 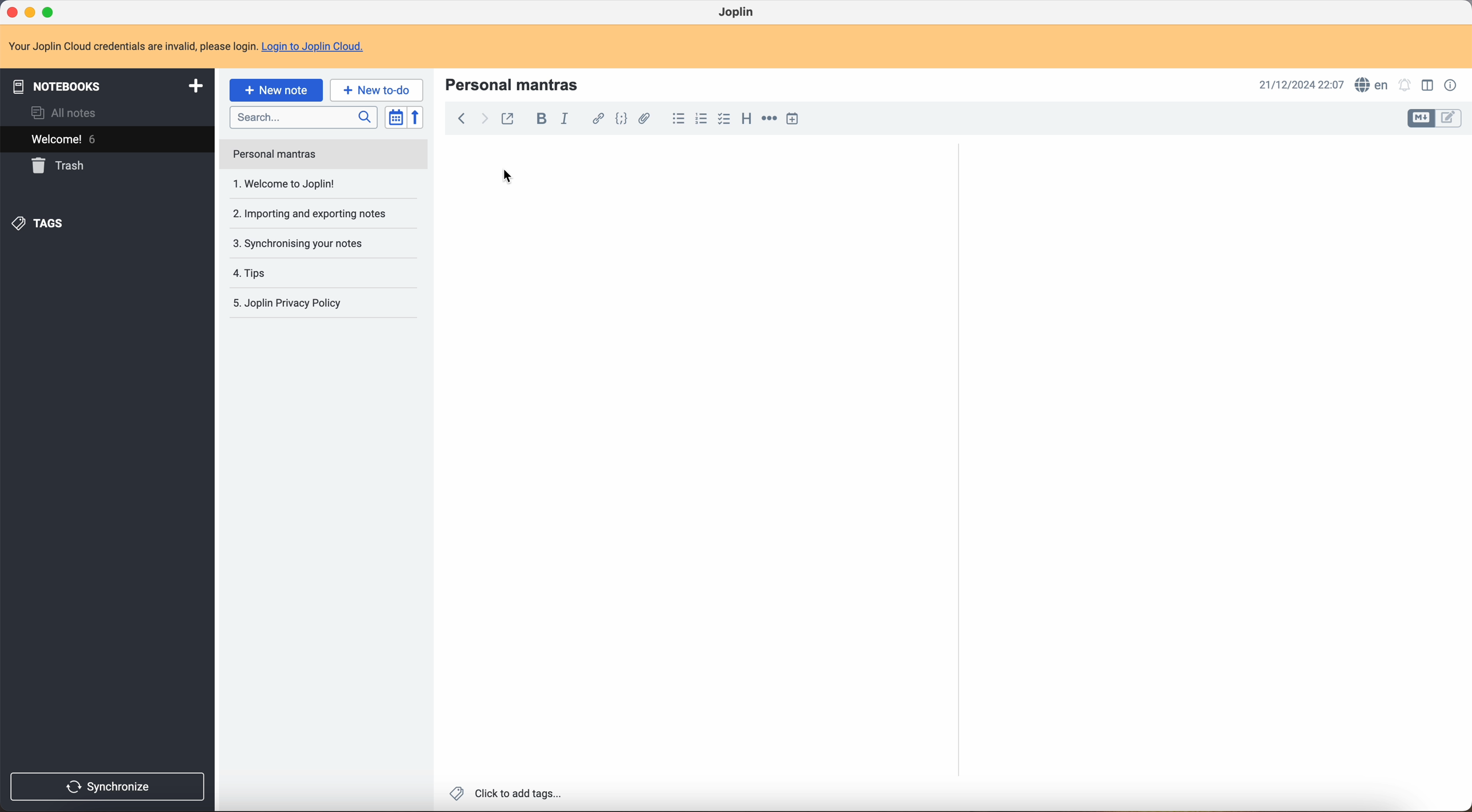 What do you see at coordinates (1210, 432) in the screenshot?
I see `body text` at bounding box center [1210, 432].